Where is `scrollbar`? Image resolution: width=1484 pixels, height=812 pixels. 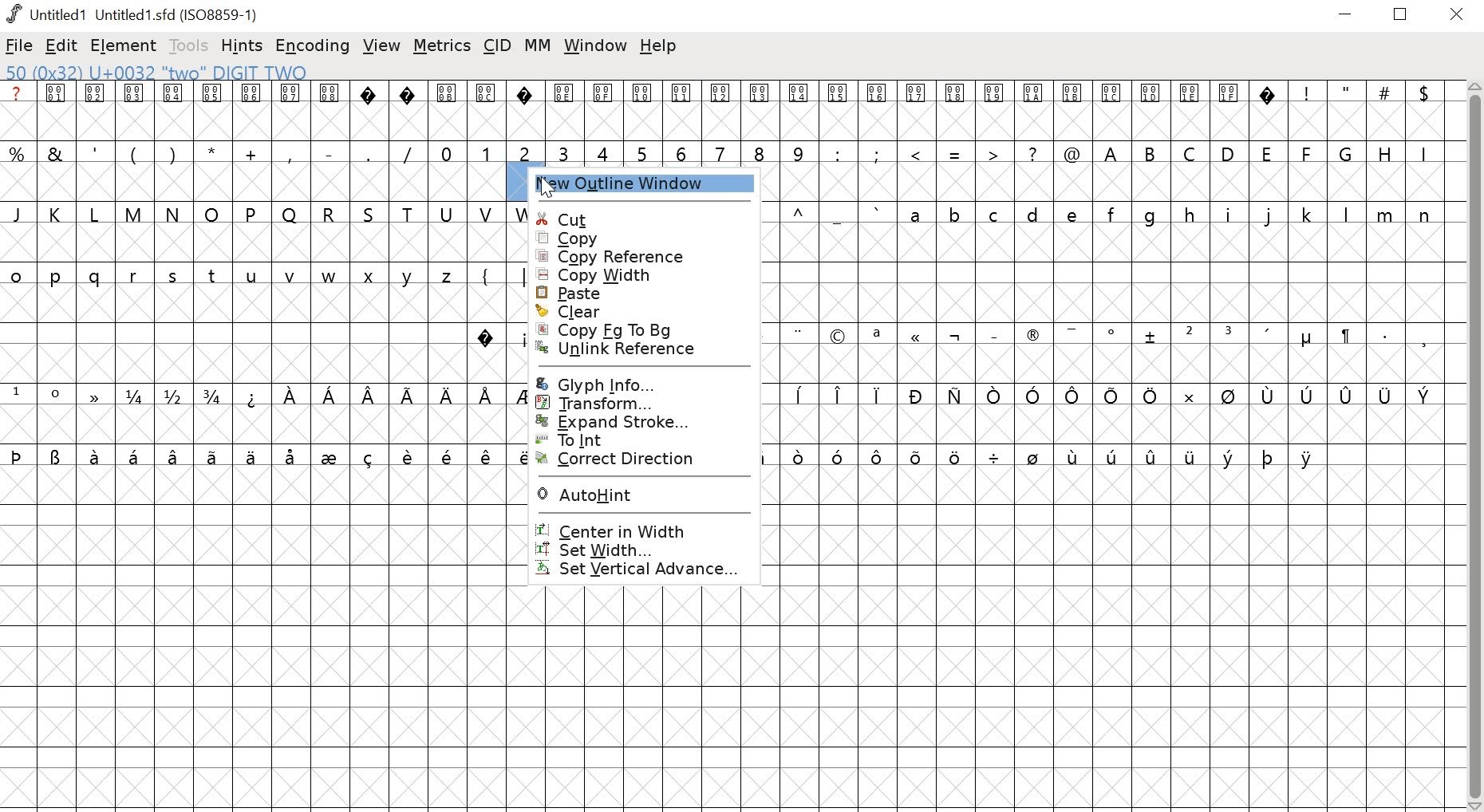 scrollbar is located at coordinates (1473, 447).